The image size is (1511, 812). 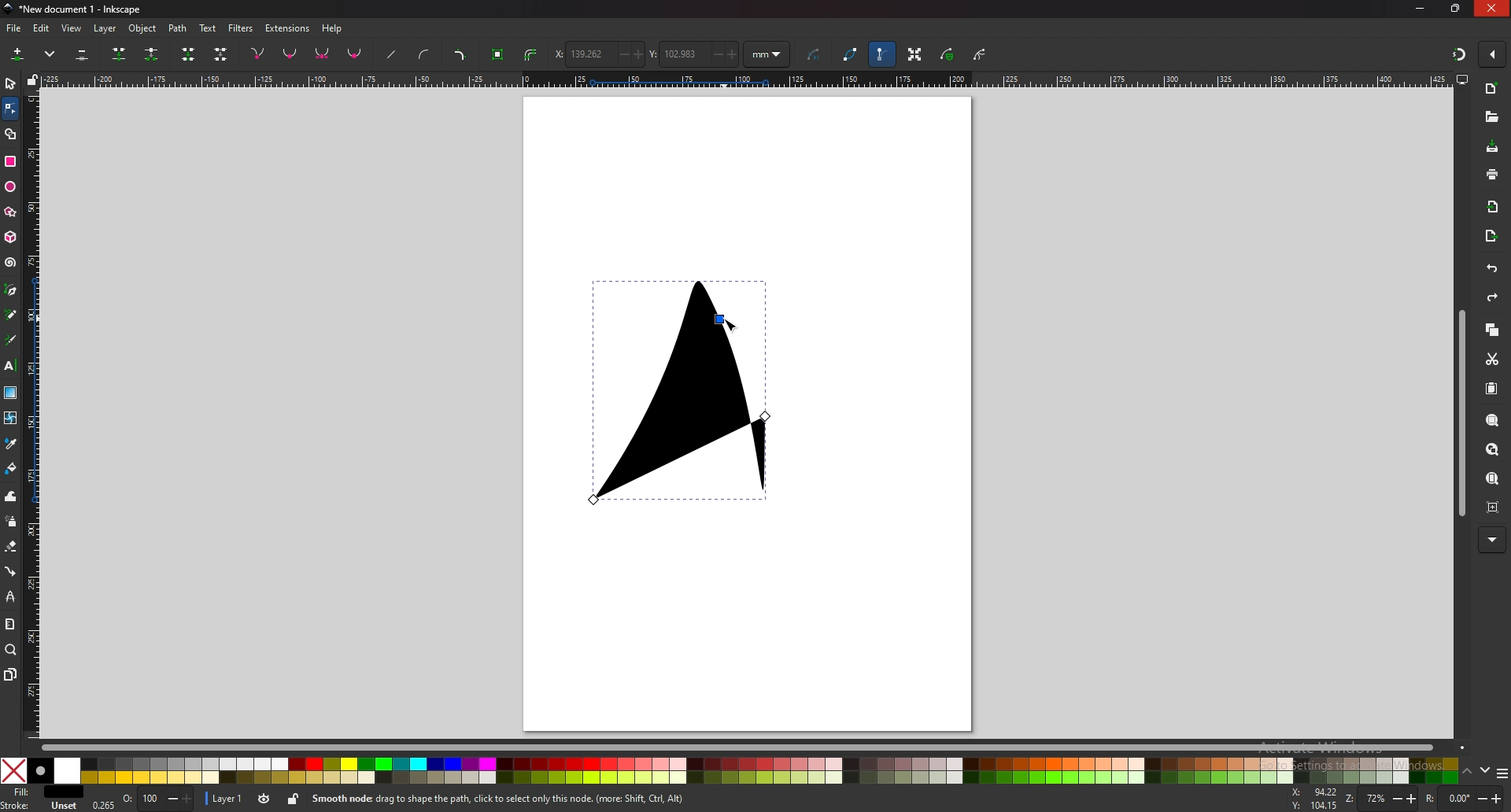 What do you see at coordinates (1381, 798) in the screenshot?
I see `zoom` at bounding box center [1381, 798].